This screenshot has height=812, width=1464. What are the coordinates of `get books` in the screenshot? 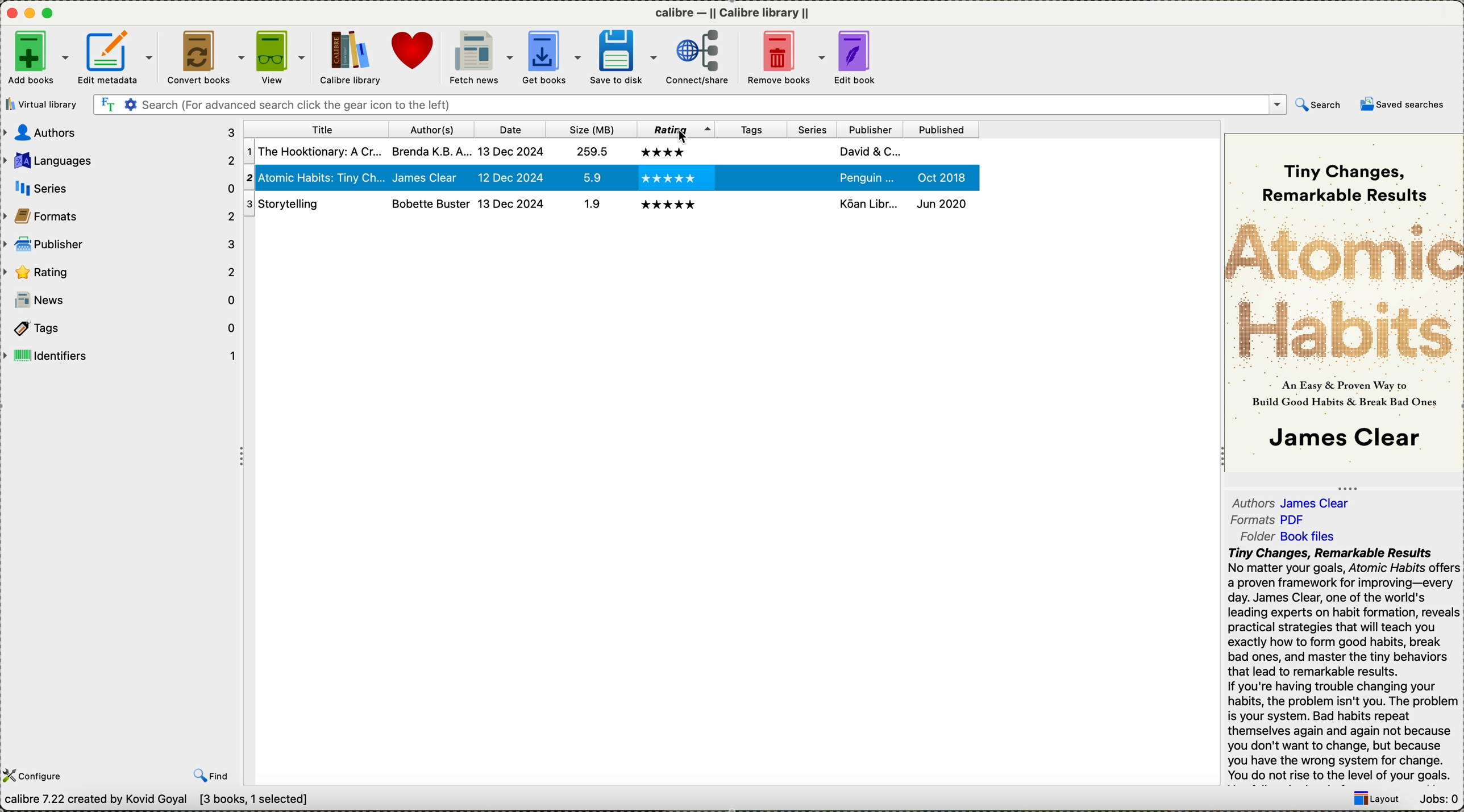 It's located at (552, 57).